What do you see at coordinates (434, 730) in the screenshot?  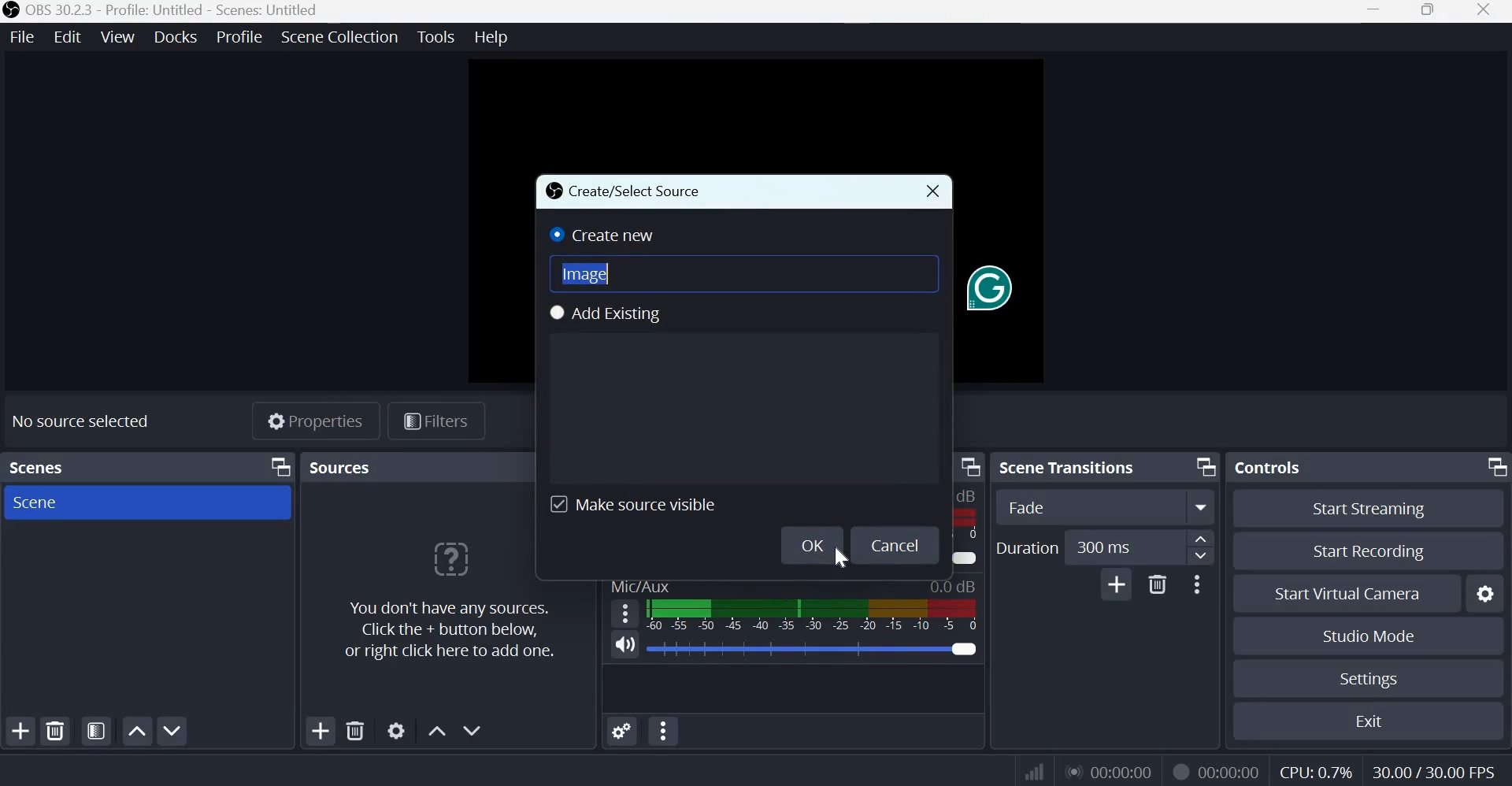 I see `Move source(s) up` at bounding box center [434, 730].